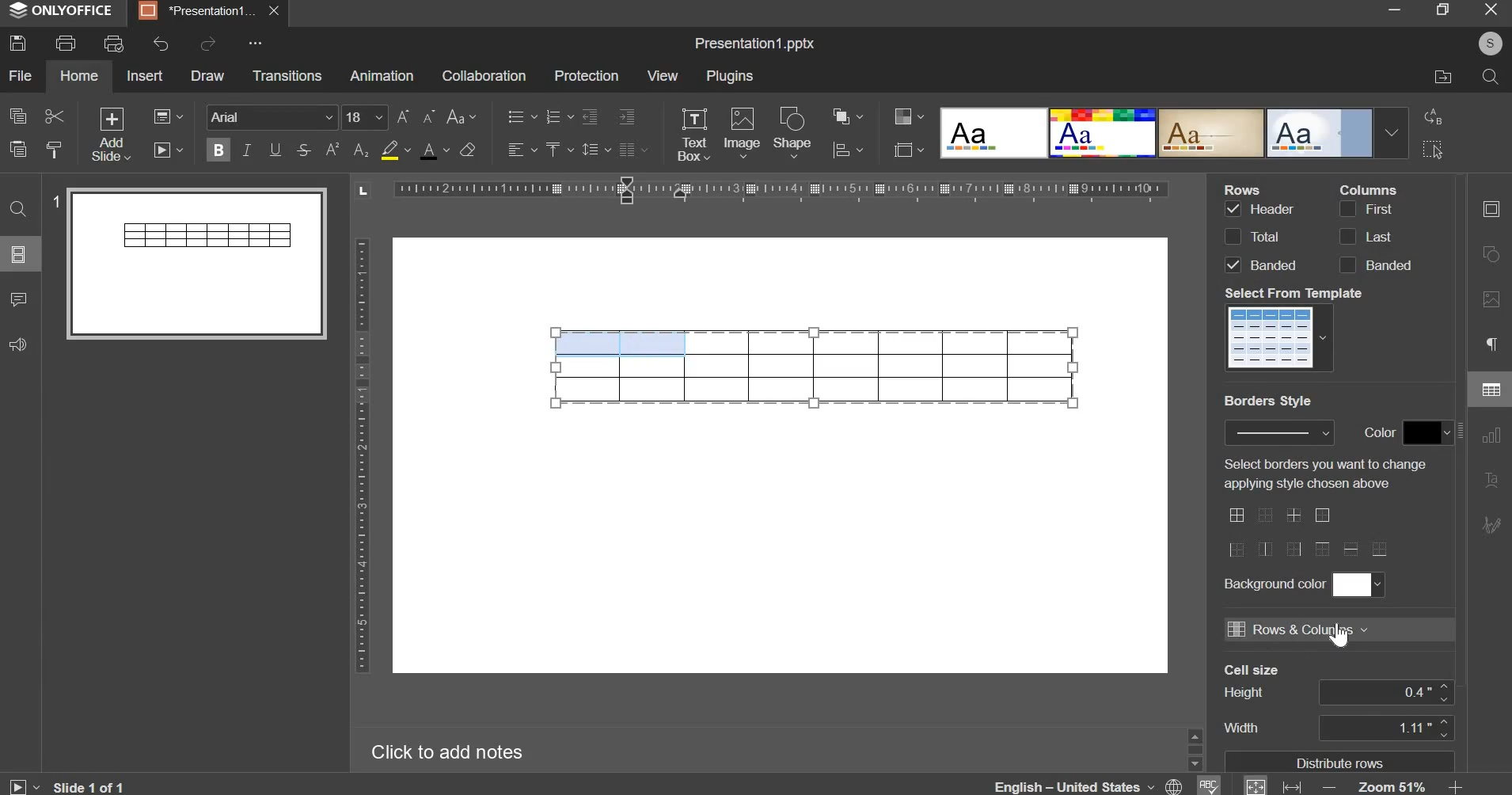 This screenshot has height=795, width=1512. What do you see at coordinates (19, 209) in the screenshot?
I see `find` at bounding box center [19, 209].